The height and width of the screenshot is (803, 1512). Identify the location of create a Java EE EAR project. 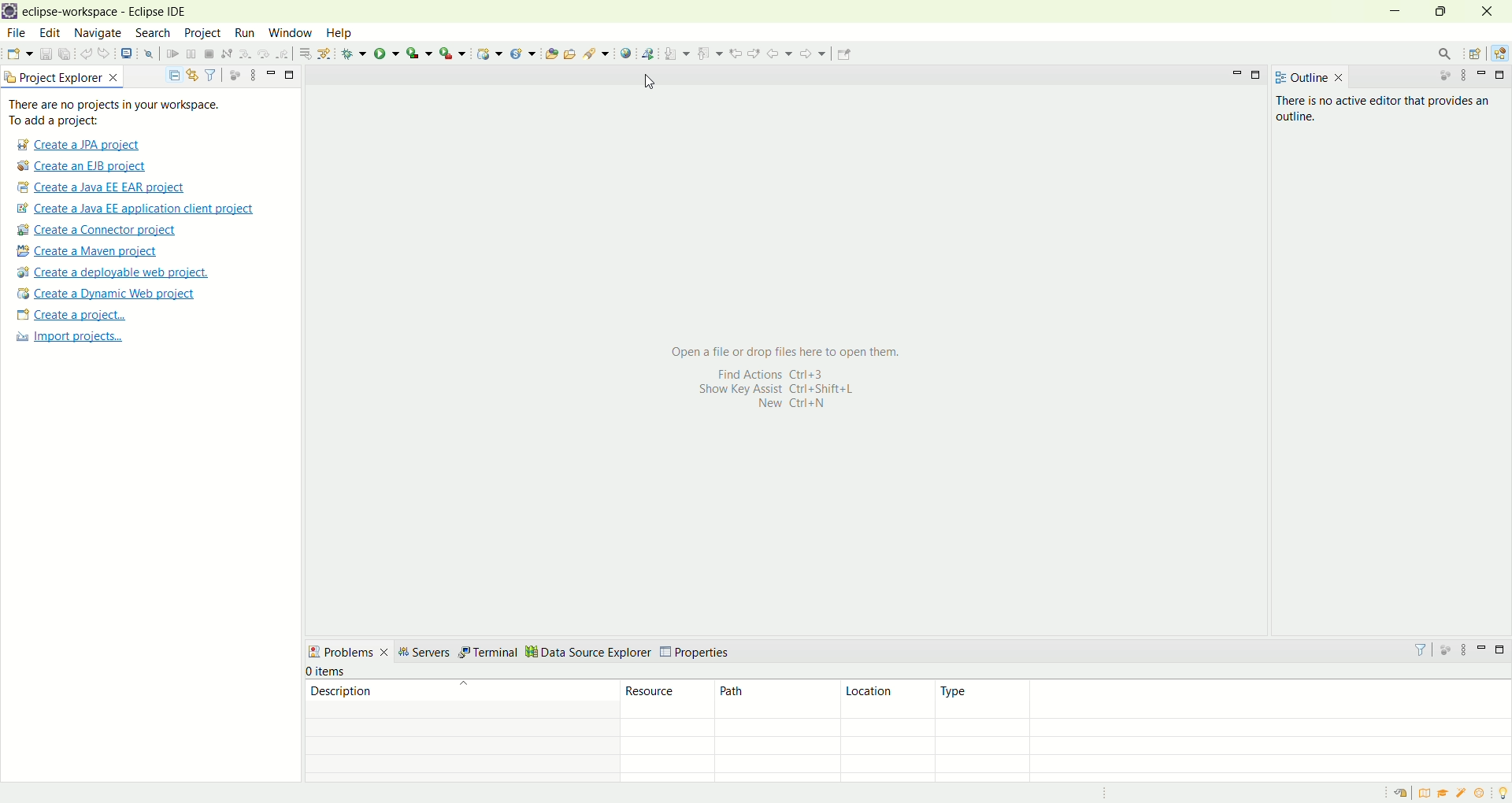
(102, 187).